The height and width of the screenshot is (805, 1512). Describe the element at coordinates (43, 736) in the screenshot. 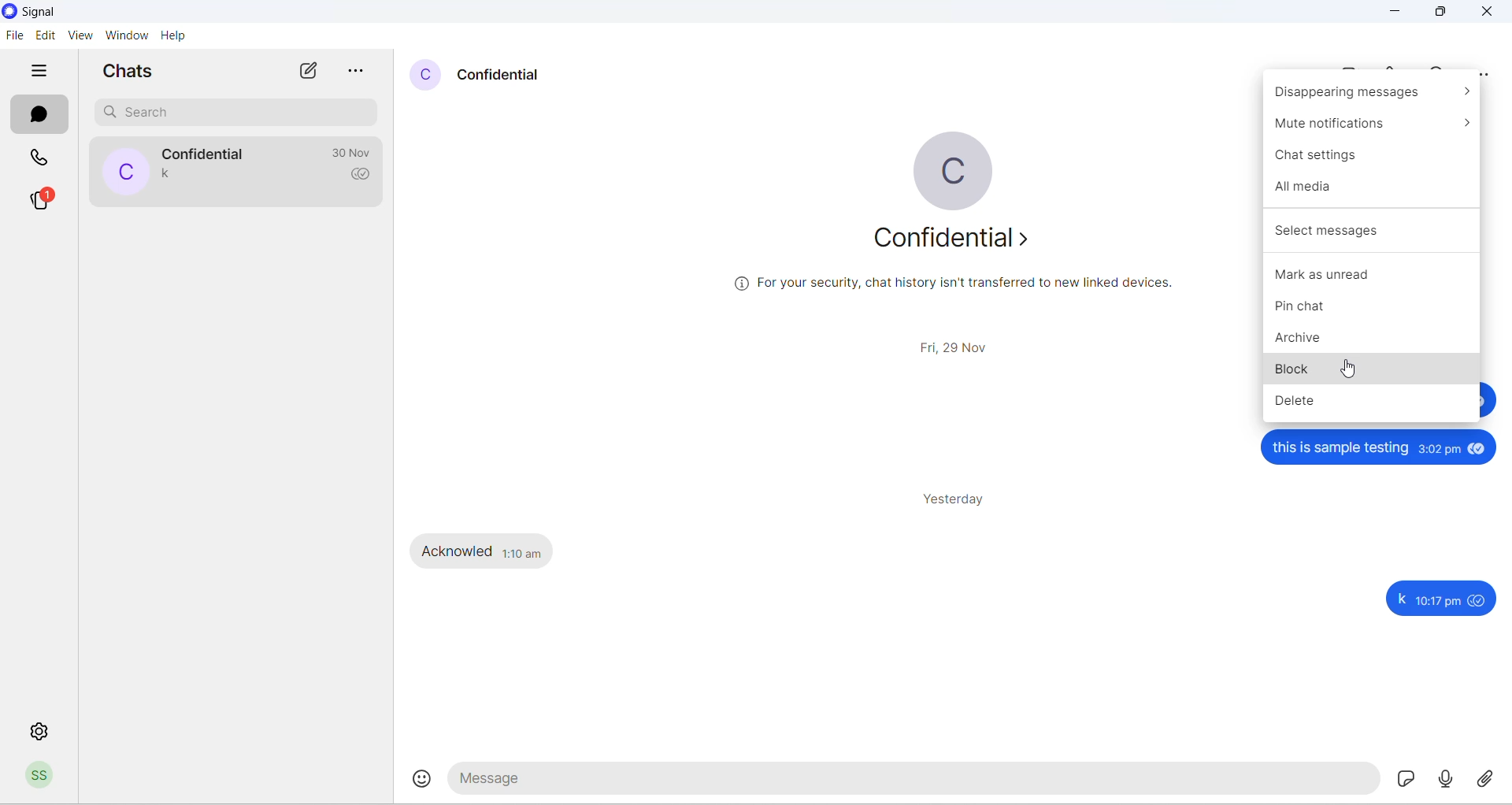

I see `settings` at that location.